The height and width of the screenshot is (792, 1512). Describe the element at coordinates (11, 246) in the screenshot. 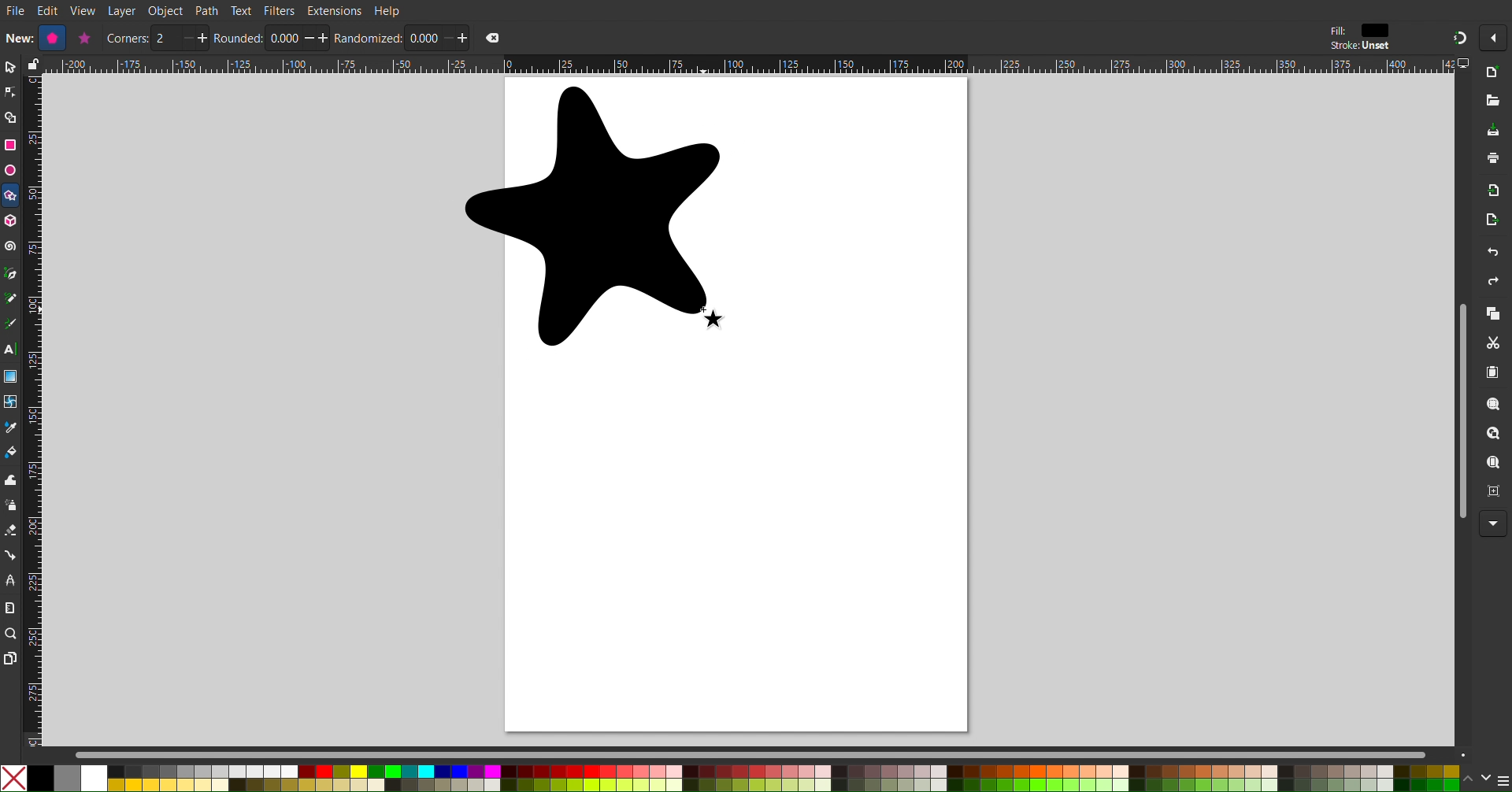

I see `Spiral` at that location.